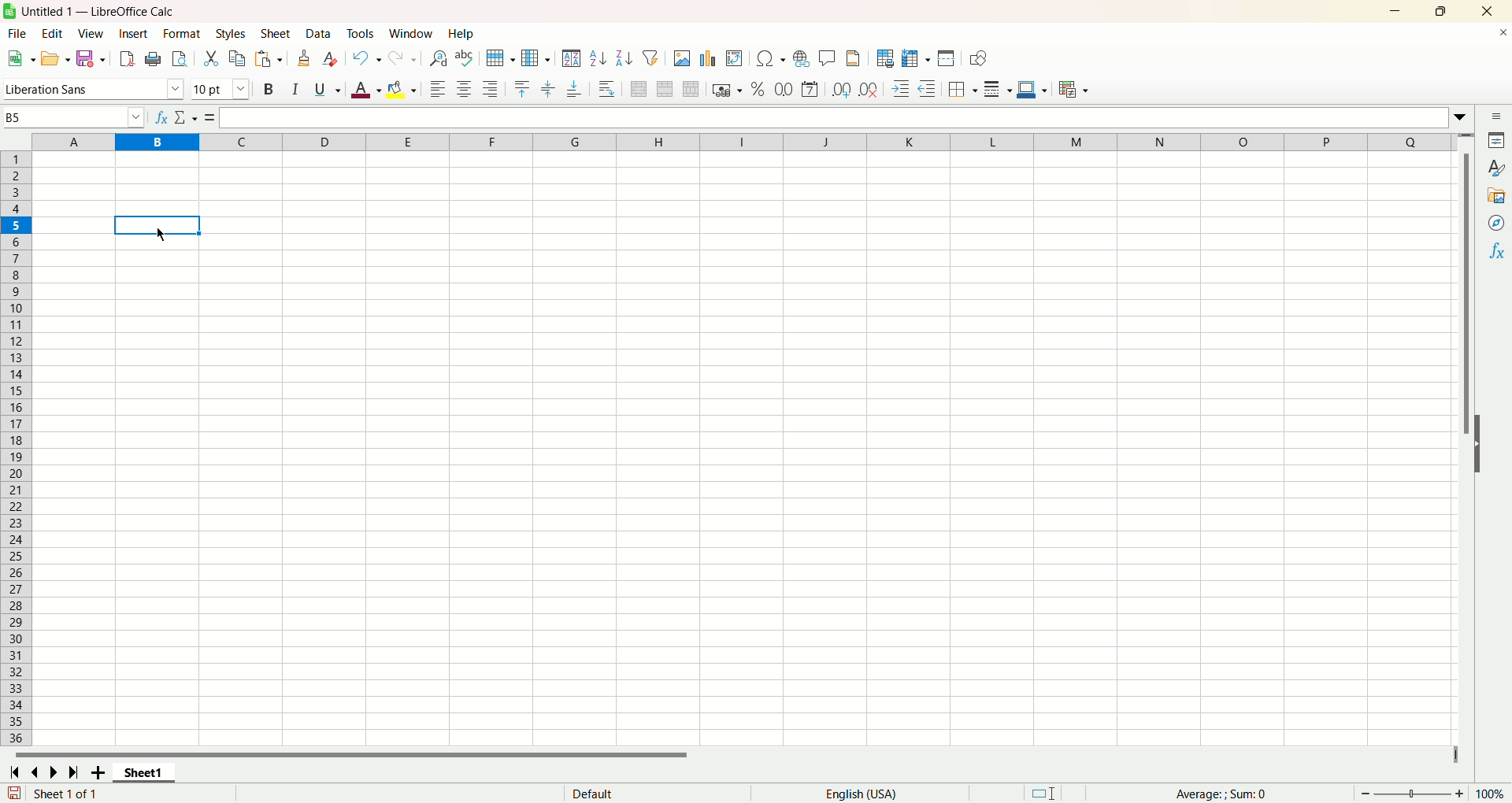  Describe the element at coordinates (772, 58) in the screenshot. I see `insert special character` at that location.